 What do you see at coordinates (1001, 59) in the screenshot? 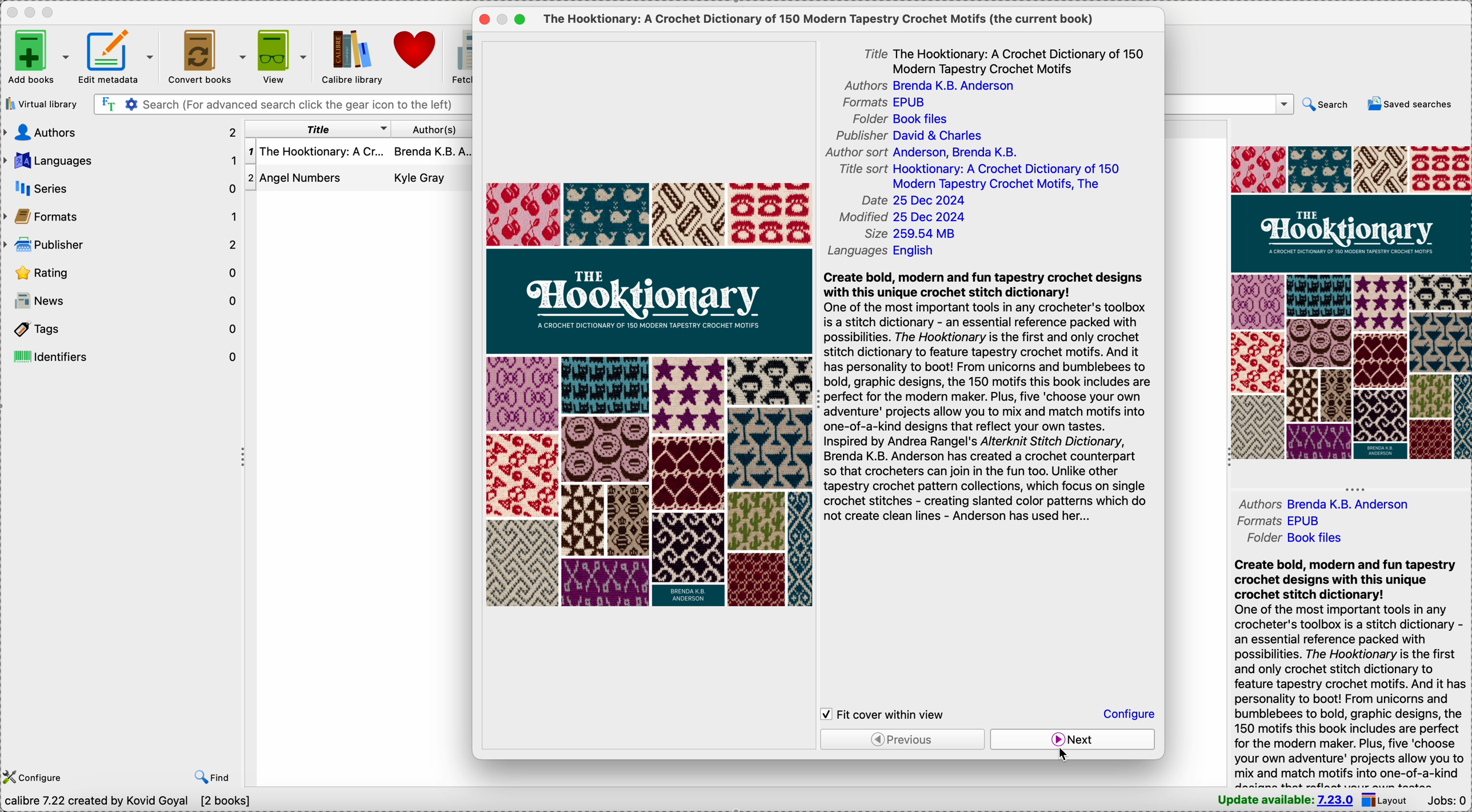
I see `title` at bounding box center [1001, 59].